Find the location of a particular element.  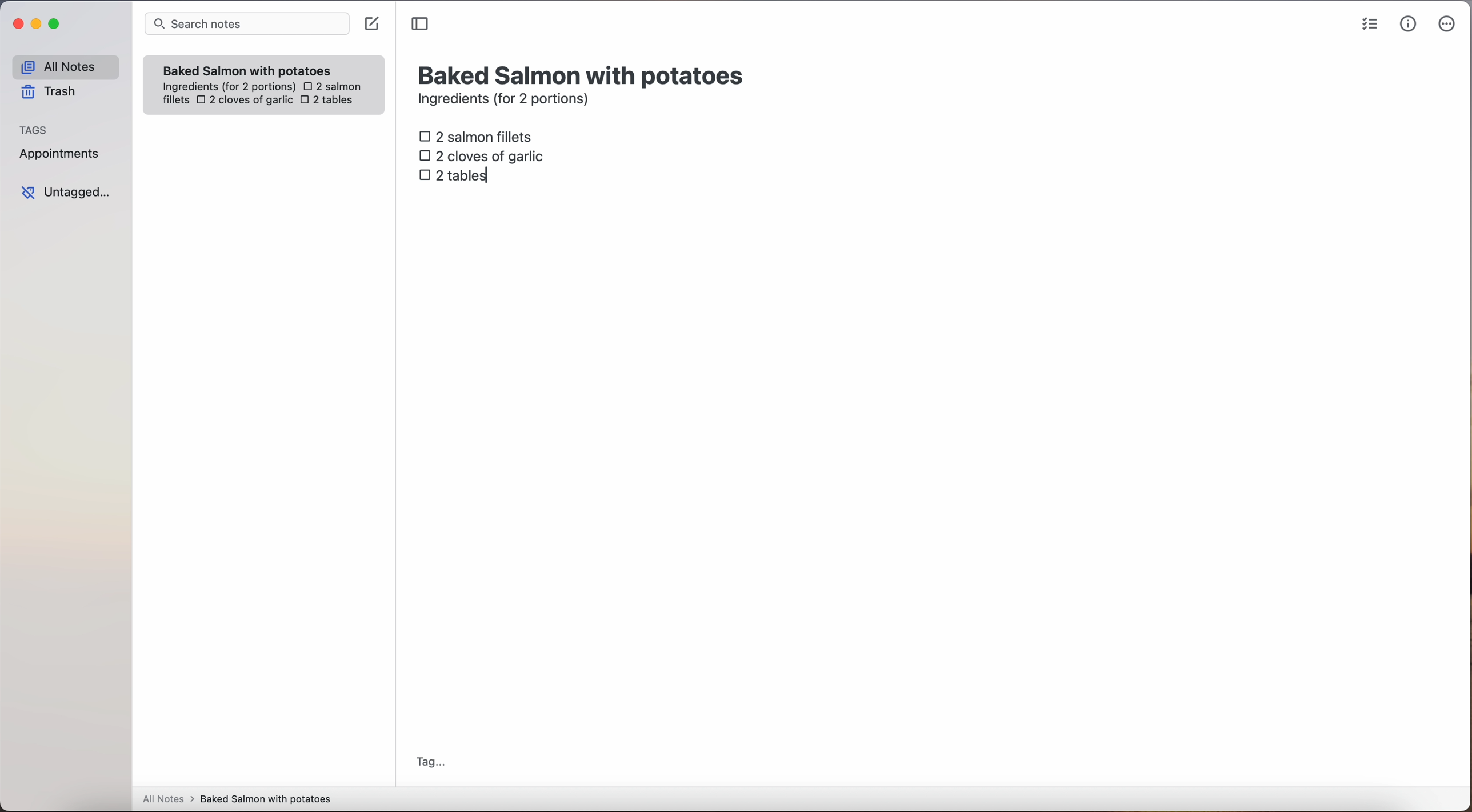

create note is located at coordinates (371, 24).